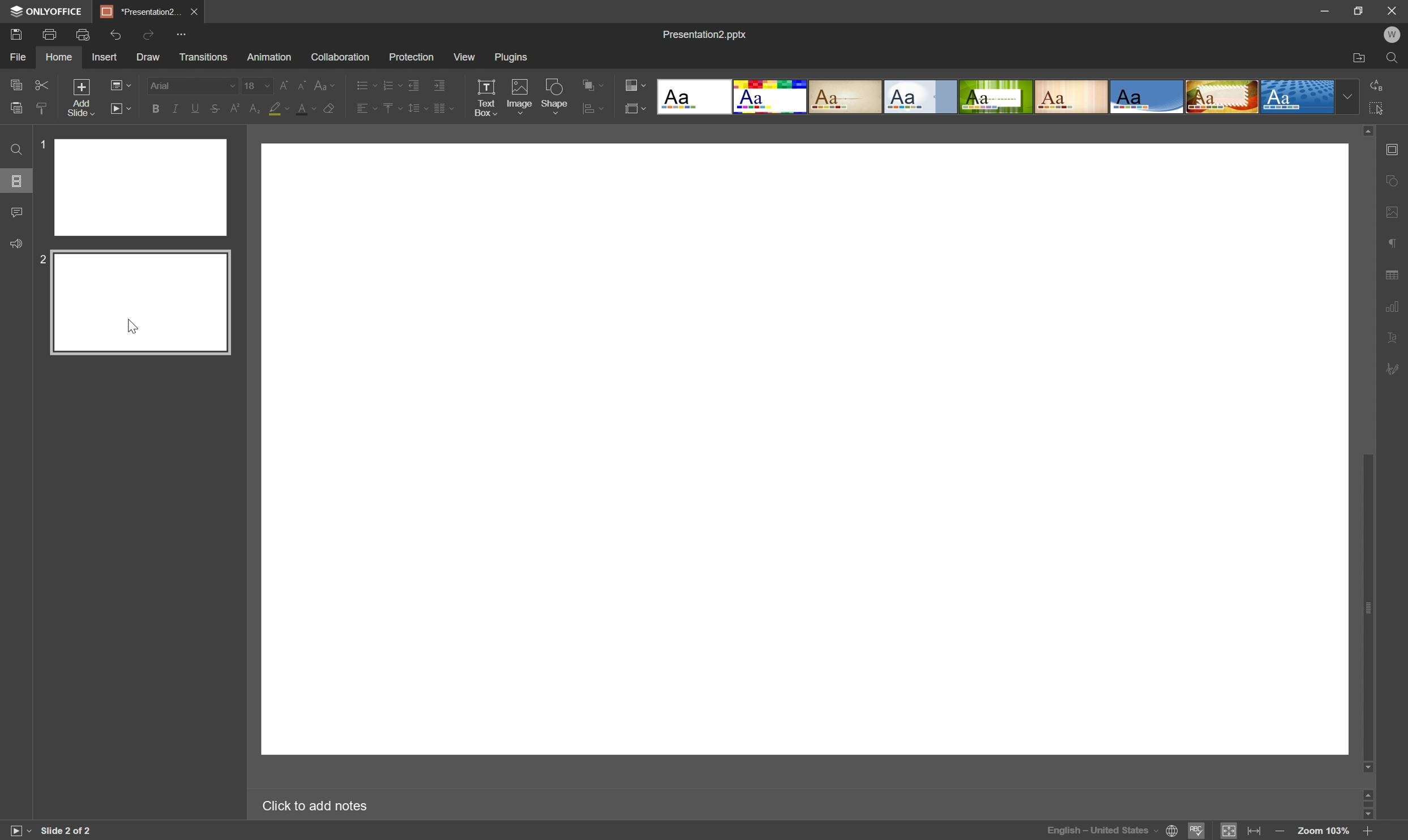 This screenshot has width=1408, height=840. Describe the element at coordinates (360, 108) in the screenshot. I see `Horizontal align` at that location.